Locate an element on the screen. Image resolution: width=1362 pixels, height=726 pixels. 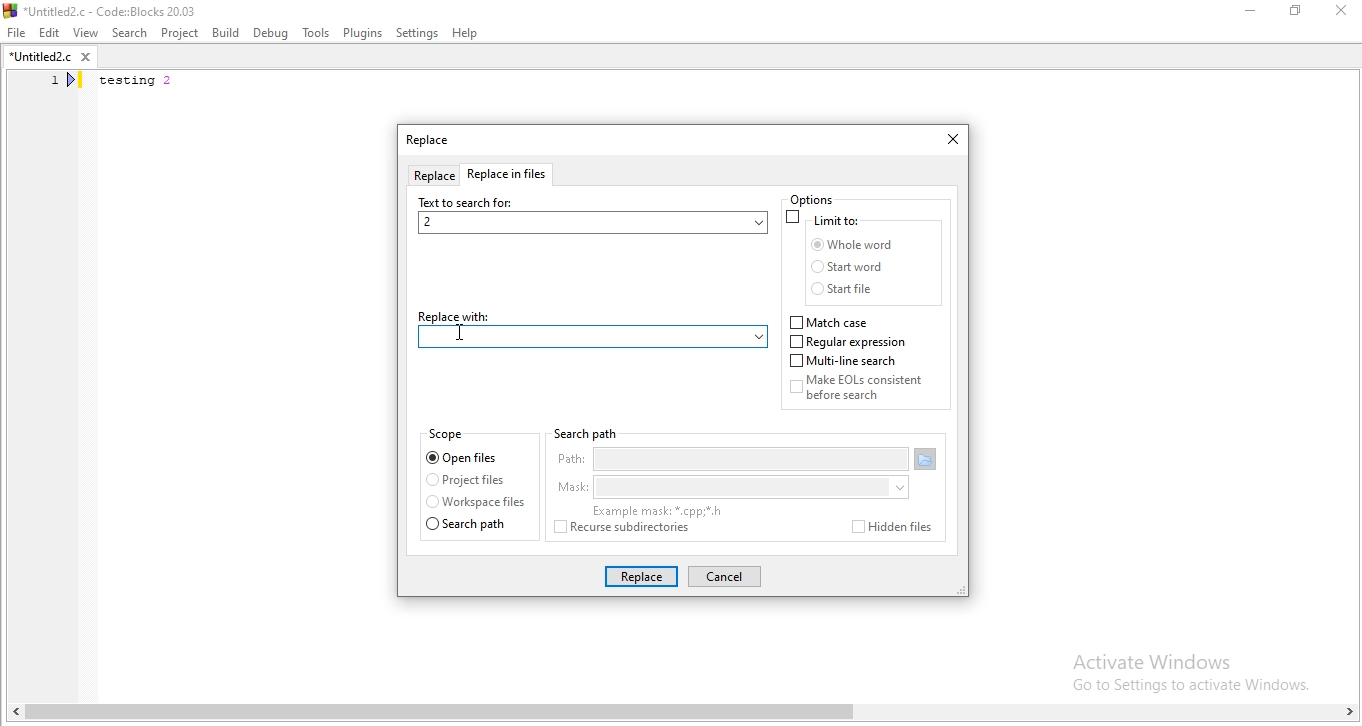
Search  is located at coordinates (127, 32).